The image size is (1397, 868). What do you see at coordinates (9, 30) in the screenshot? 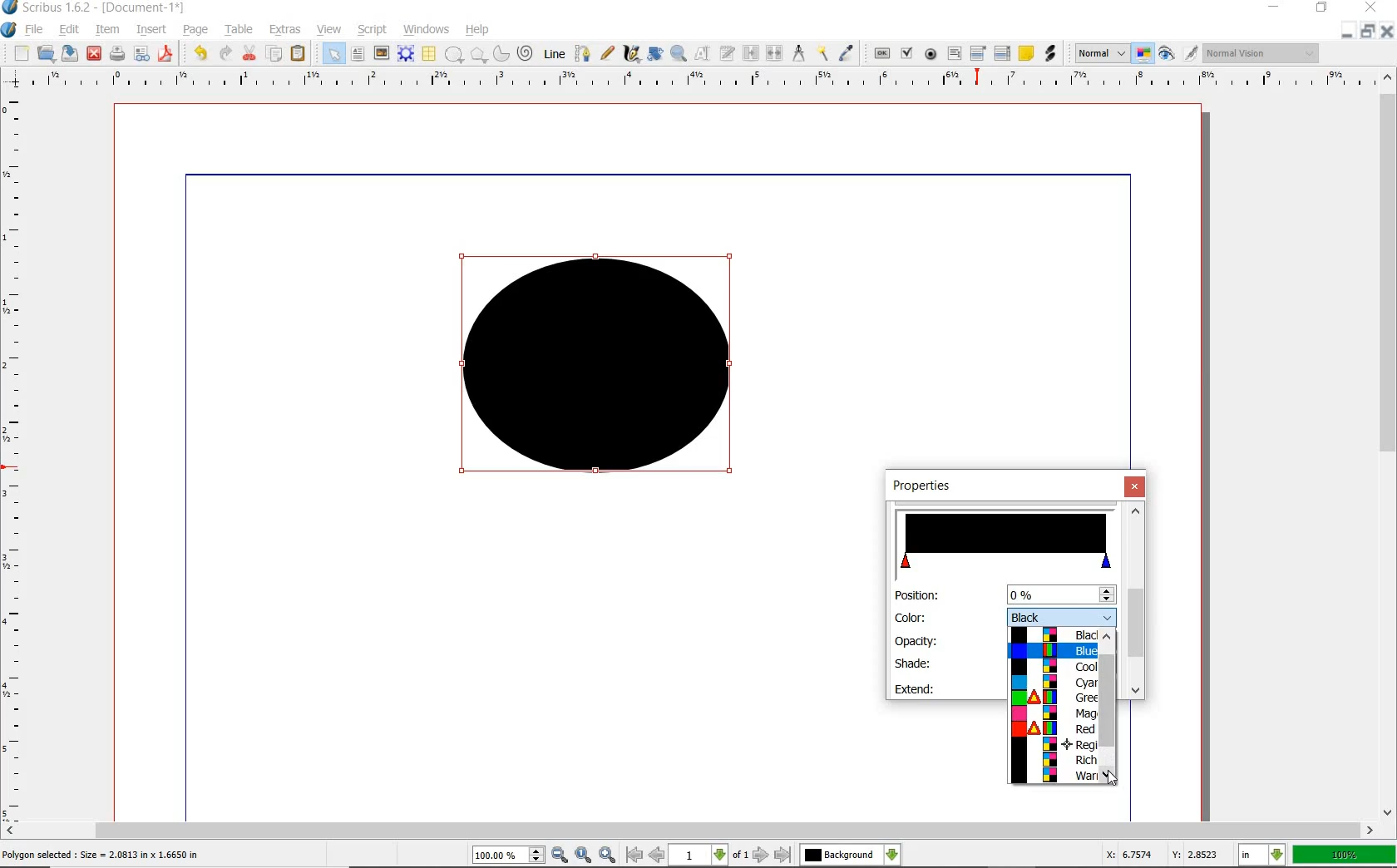
I see `SYSTEM LOGO` at bounding box center [9, 30].